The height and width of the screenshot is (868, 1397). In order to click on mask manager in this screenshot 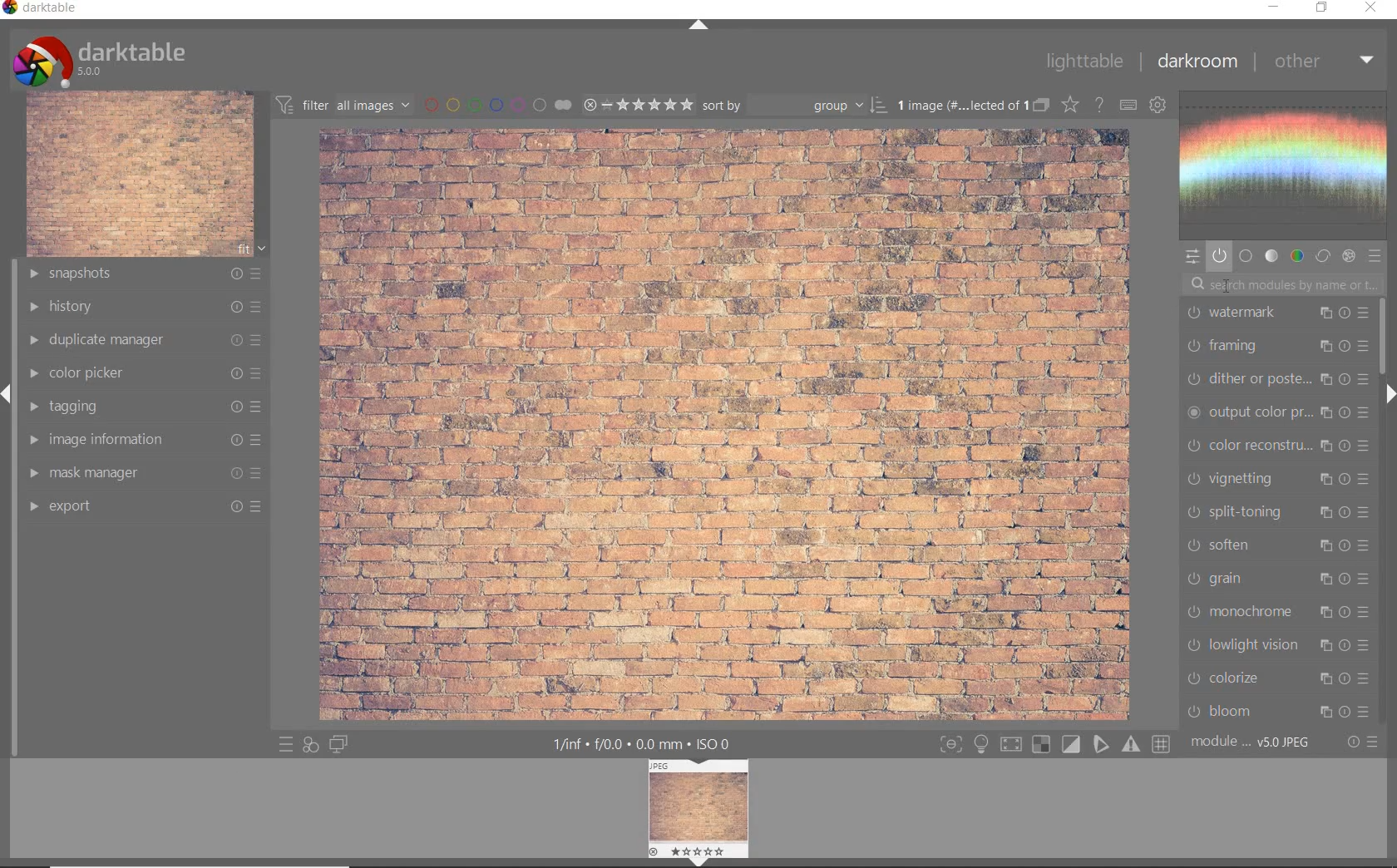, I will do `click(144, 472)`.